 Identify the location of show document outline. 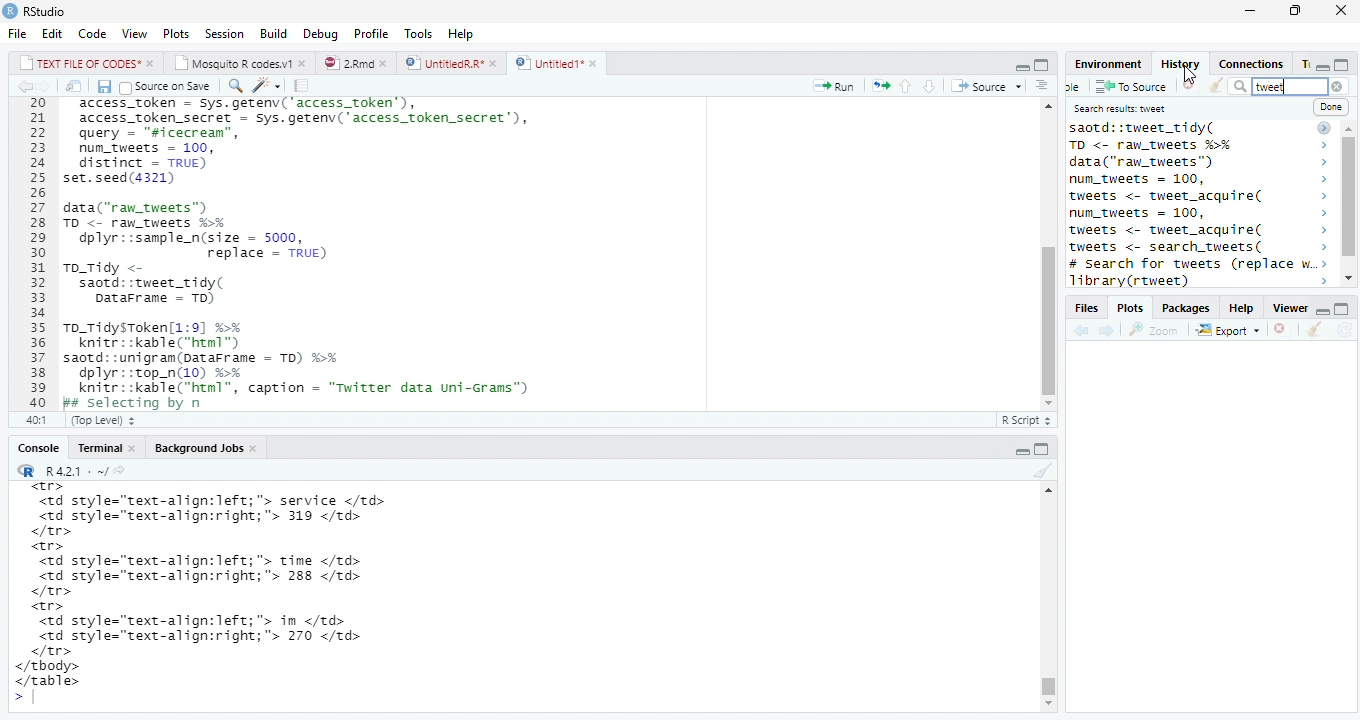
(1046, 84).